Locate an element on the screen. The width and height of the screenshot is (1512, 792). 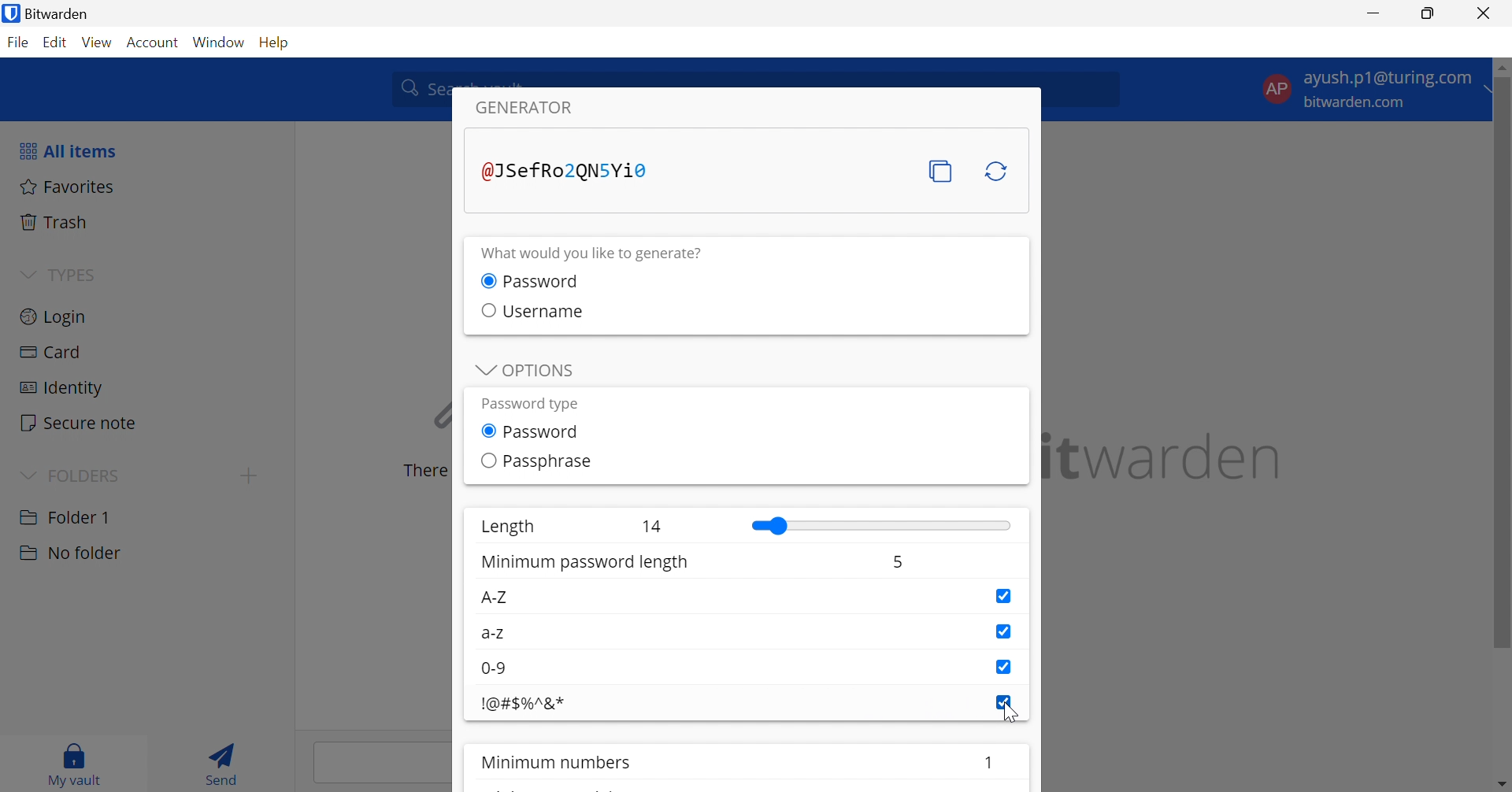
Checkbox is located at coordinates (488, 431).